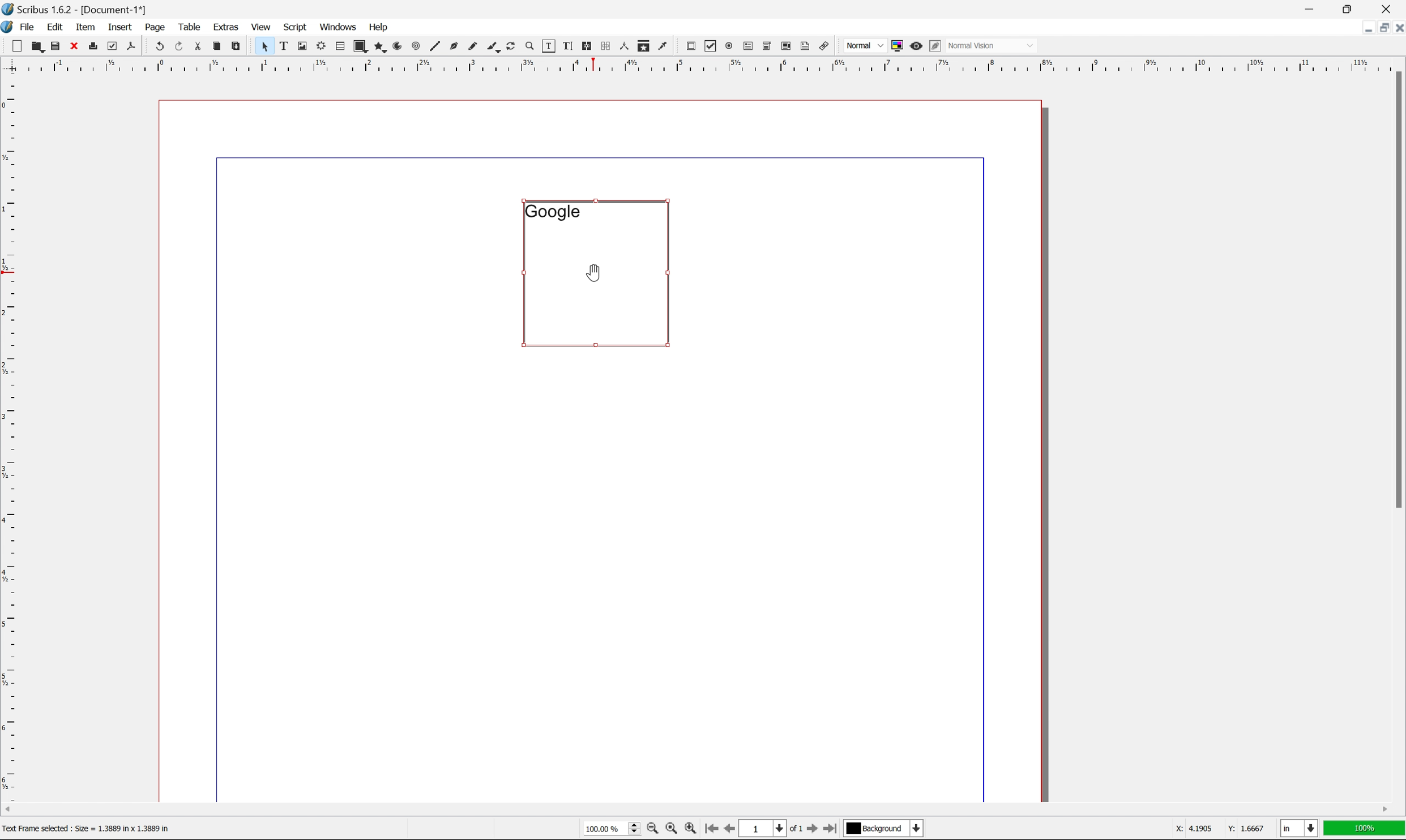 The width and height of the screenshot is (1406, 840). Describe the element at coordinates (623, 46) in the screenshot. I see `measurements` at that location.